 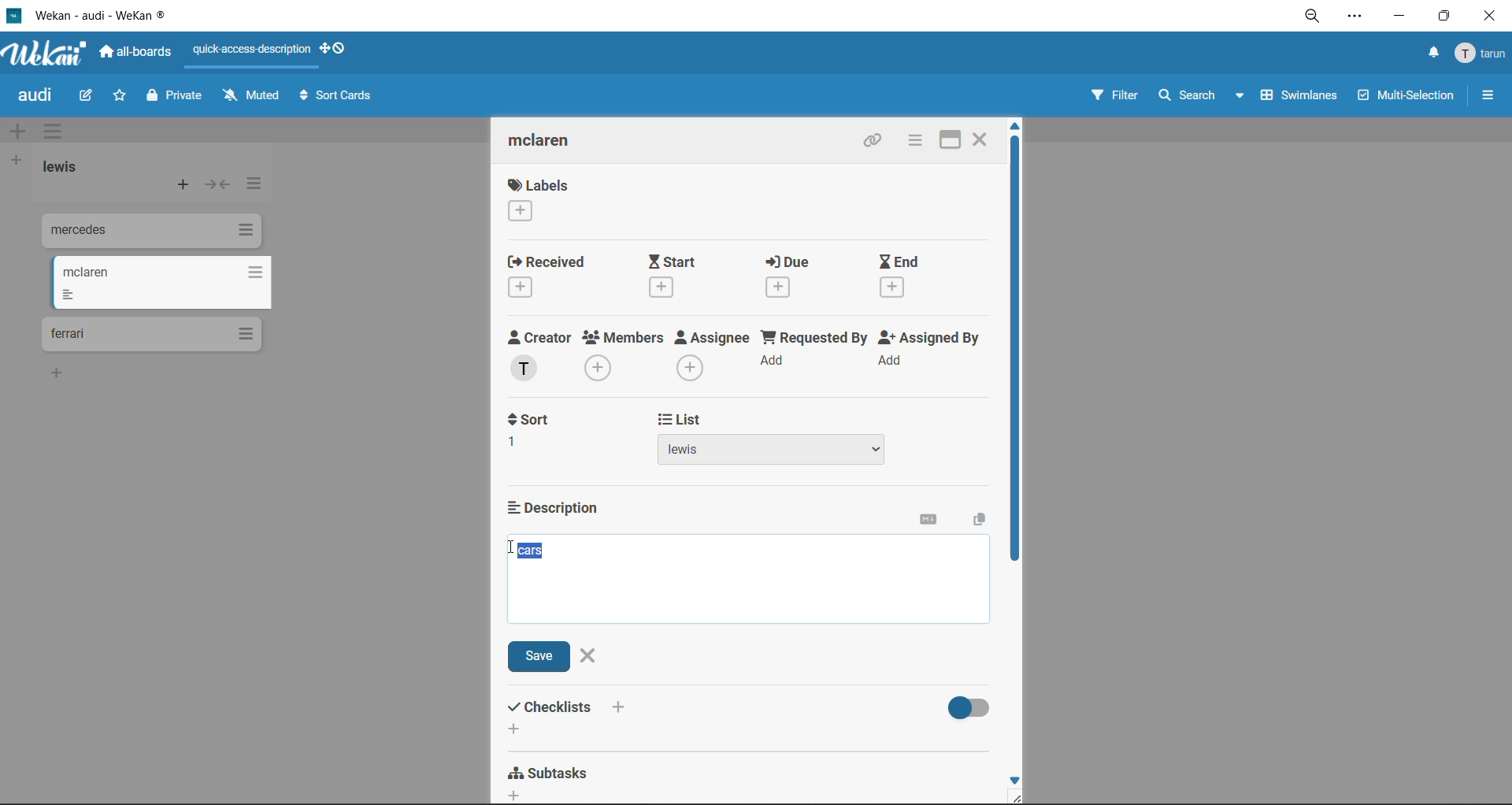 I want to click on app title, so click(x=91, y=15).